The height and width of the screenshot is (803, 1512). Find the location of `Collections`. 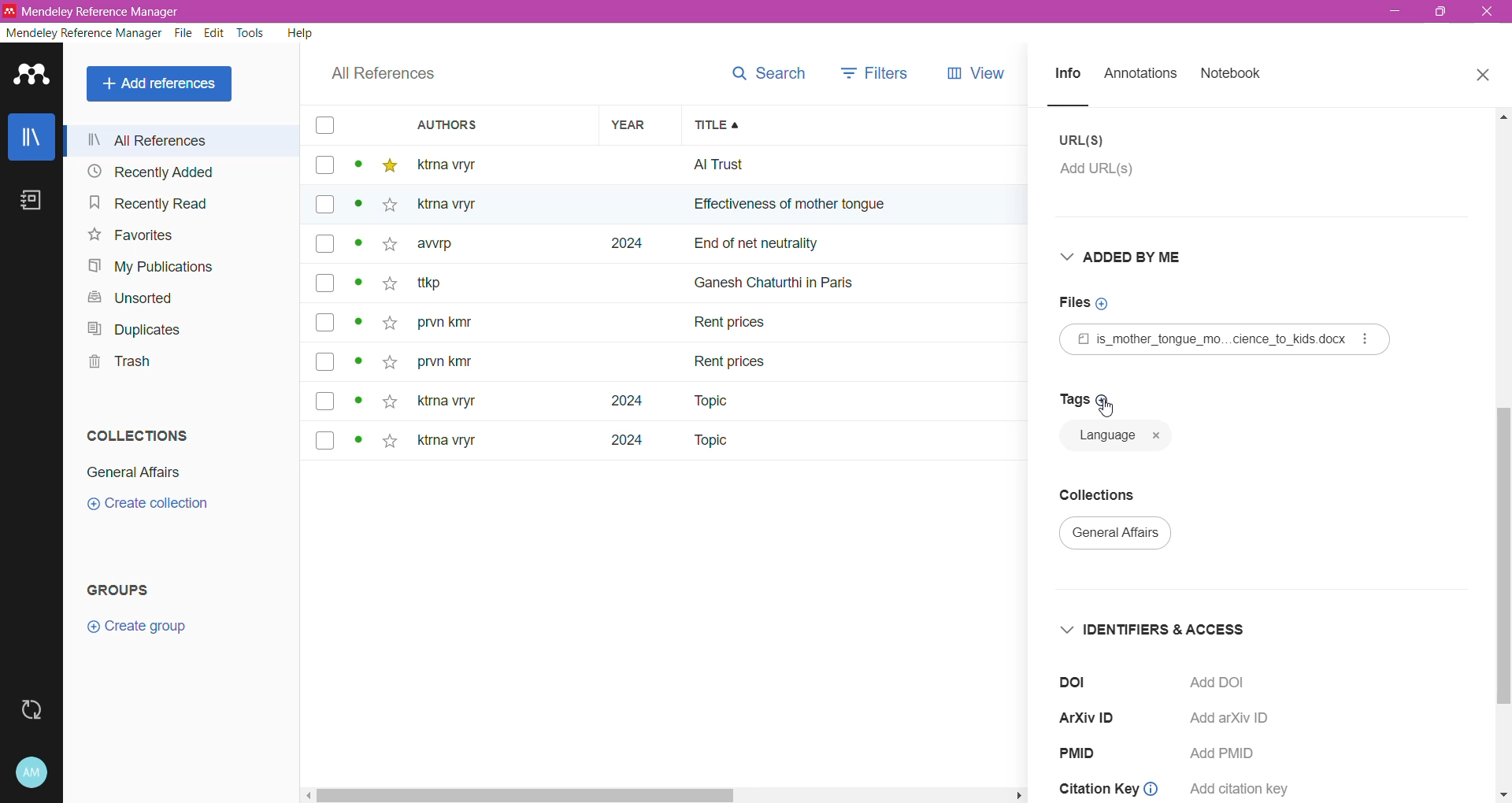

Collections is located at coordinates (1109, 491).